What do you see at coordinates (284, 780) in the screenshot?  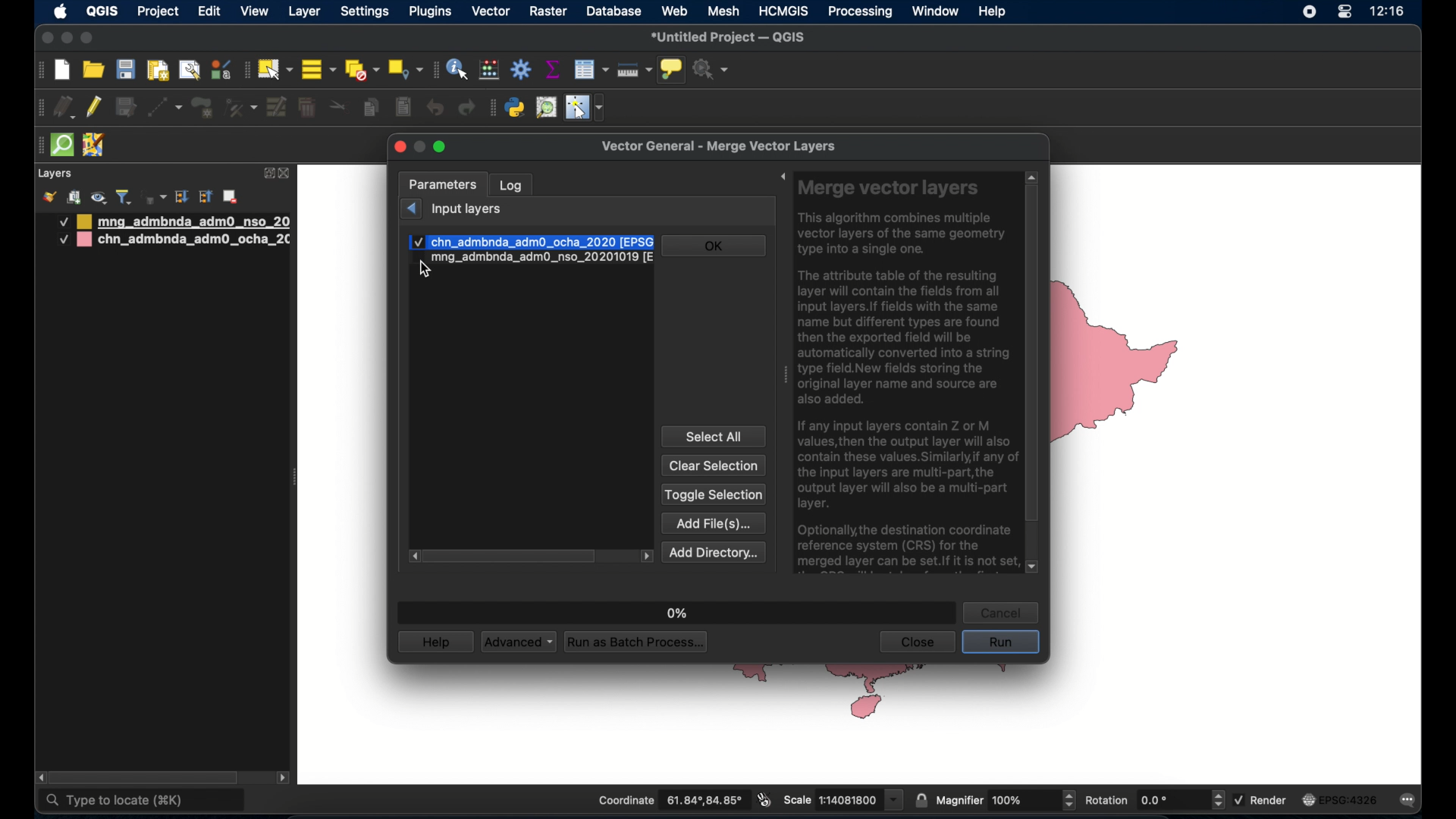 I see `scroll right arrow` at bounding box center [284, 780].